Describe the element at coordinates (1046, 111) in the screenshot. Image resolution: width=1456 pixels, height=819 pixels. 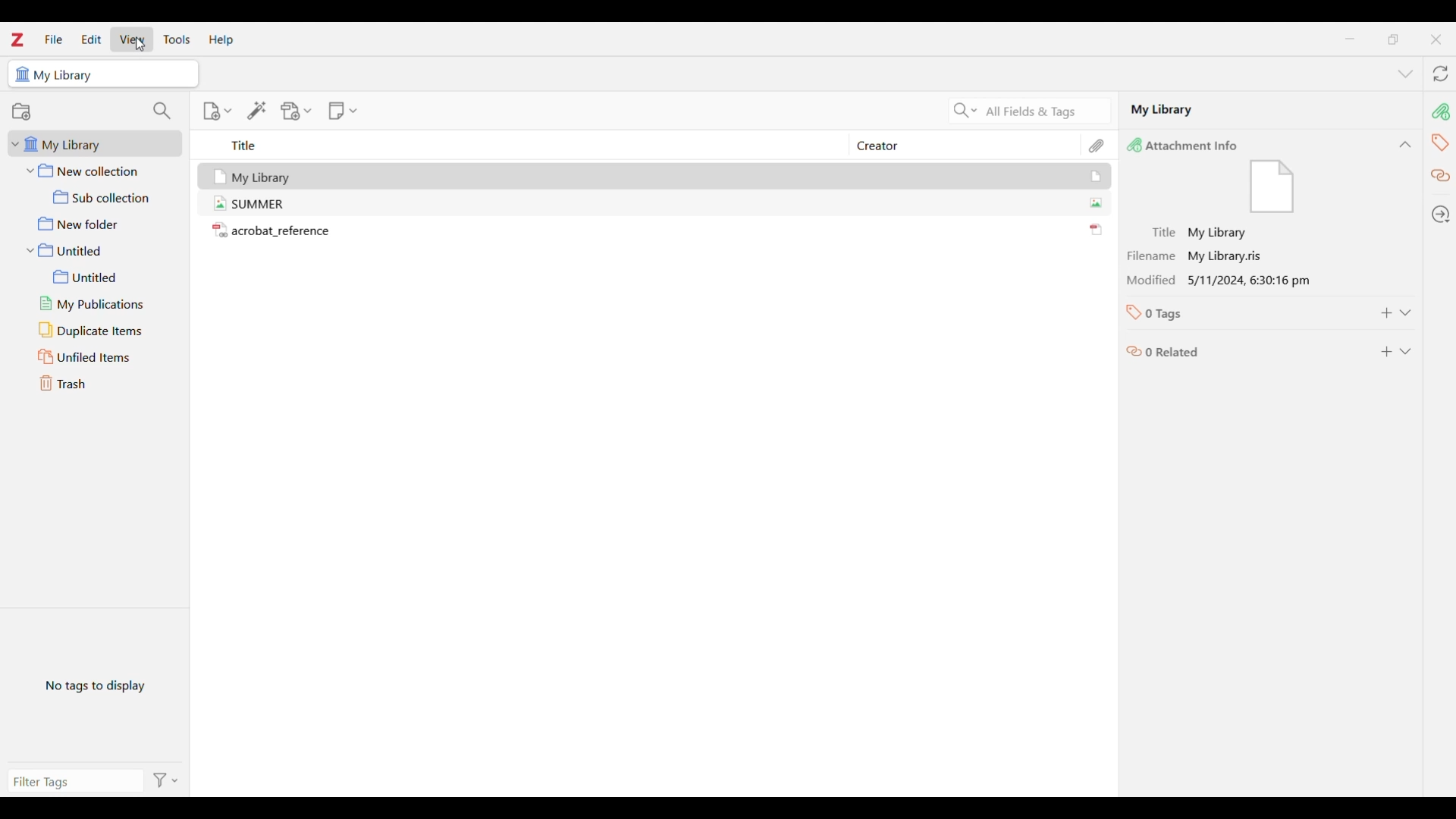
I see `Selected search criteria` at that location.